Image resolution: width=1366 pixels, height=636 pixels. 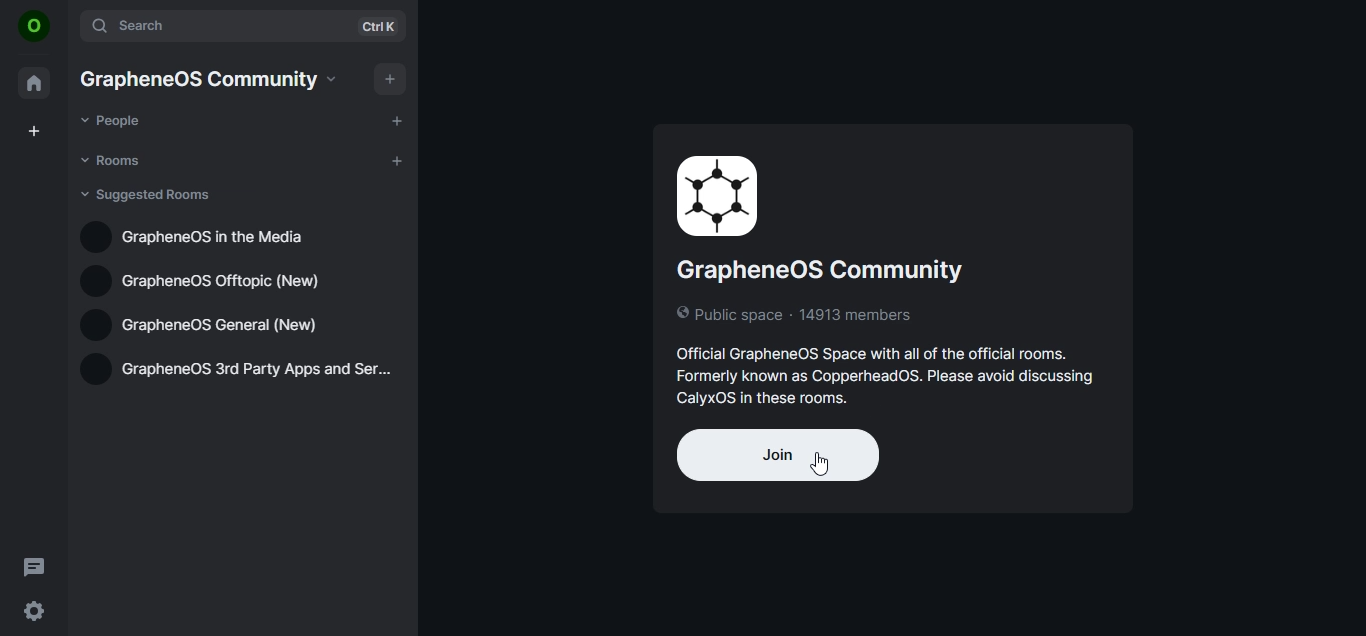 I want to click on text, so click(x=204, y=236).